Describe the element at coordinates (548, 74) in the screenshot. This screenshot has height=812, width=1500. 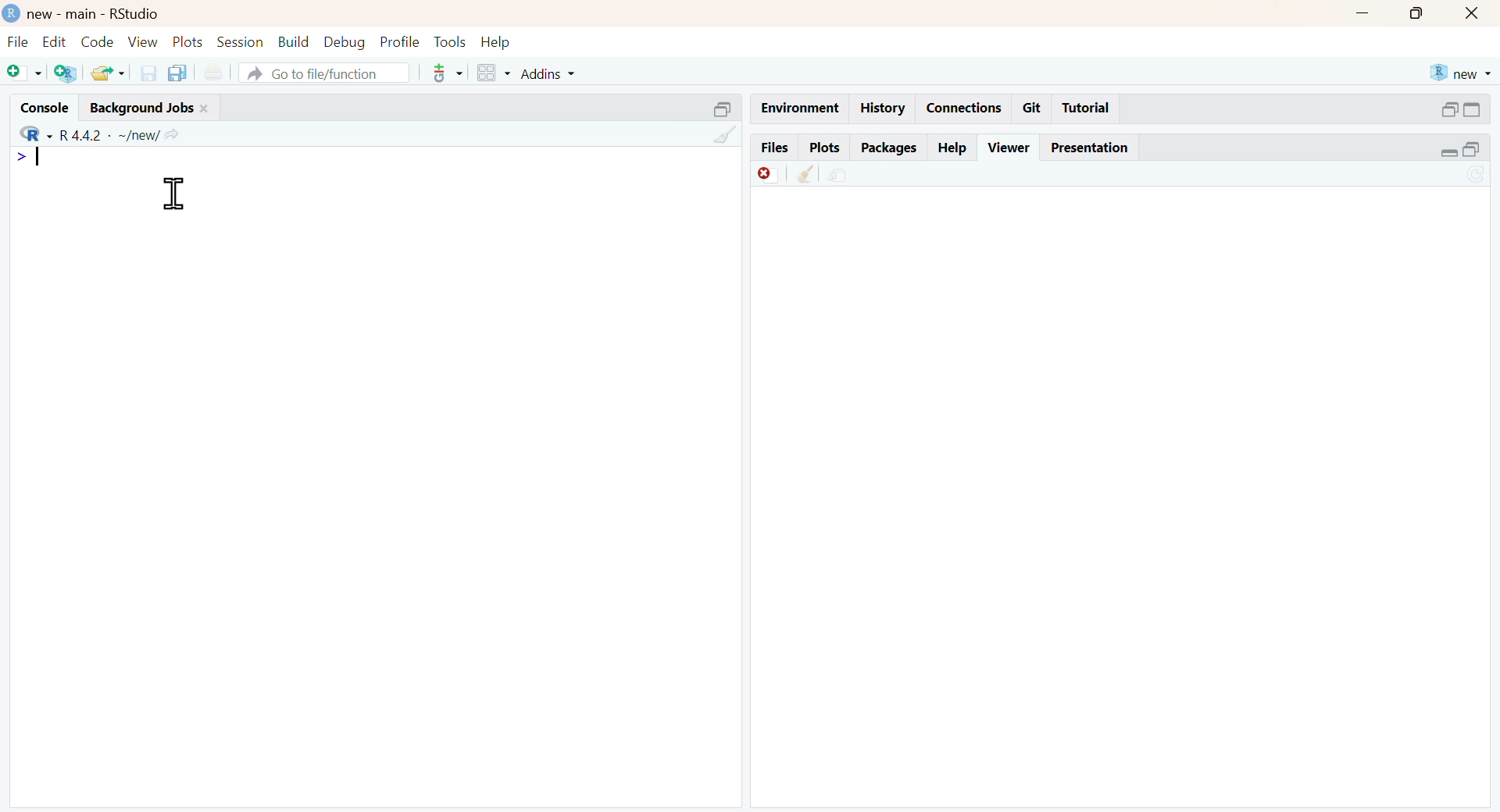
I see `addins` at that location.